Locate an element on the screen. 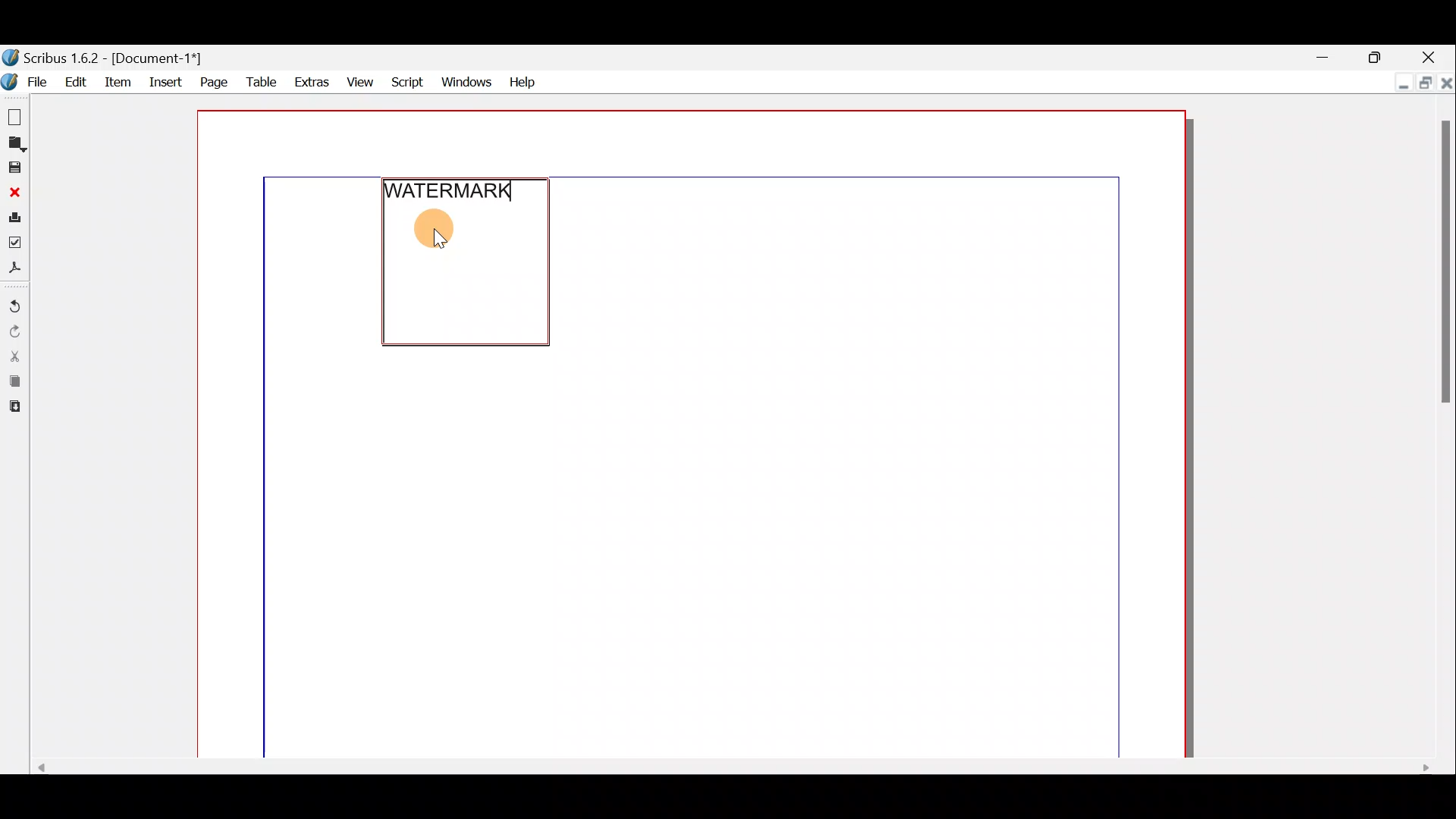 Image resolution: width=1456 pixels, height=819 pixels. New is located at coordinates (13, 115).